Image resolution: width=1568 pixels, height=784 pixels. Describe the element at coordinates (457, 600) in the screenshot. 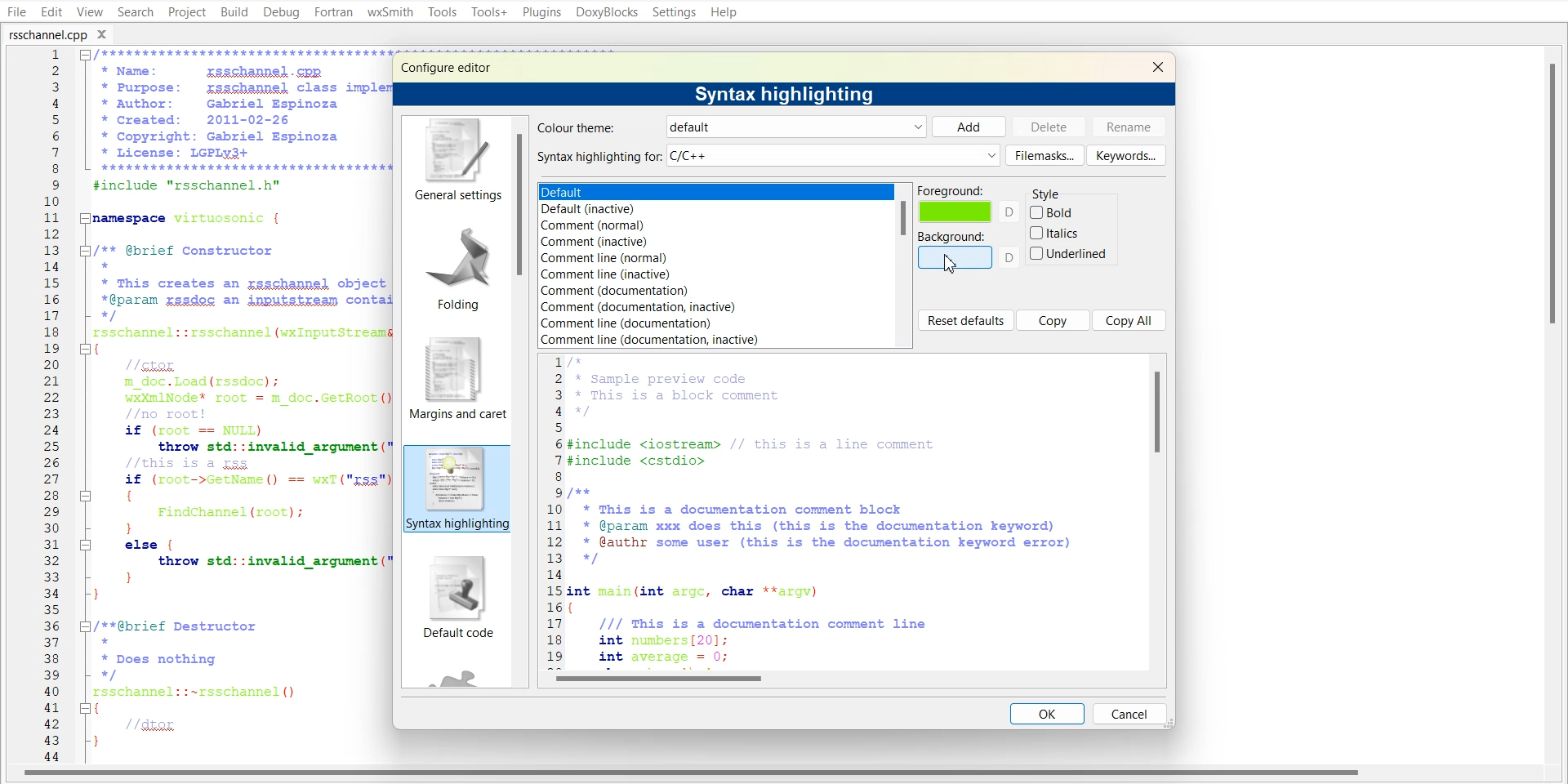

I see `Default code` at that location.